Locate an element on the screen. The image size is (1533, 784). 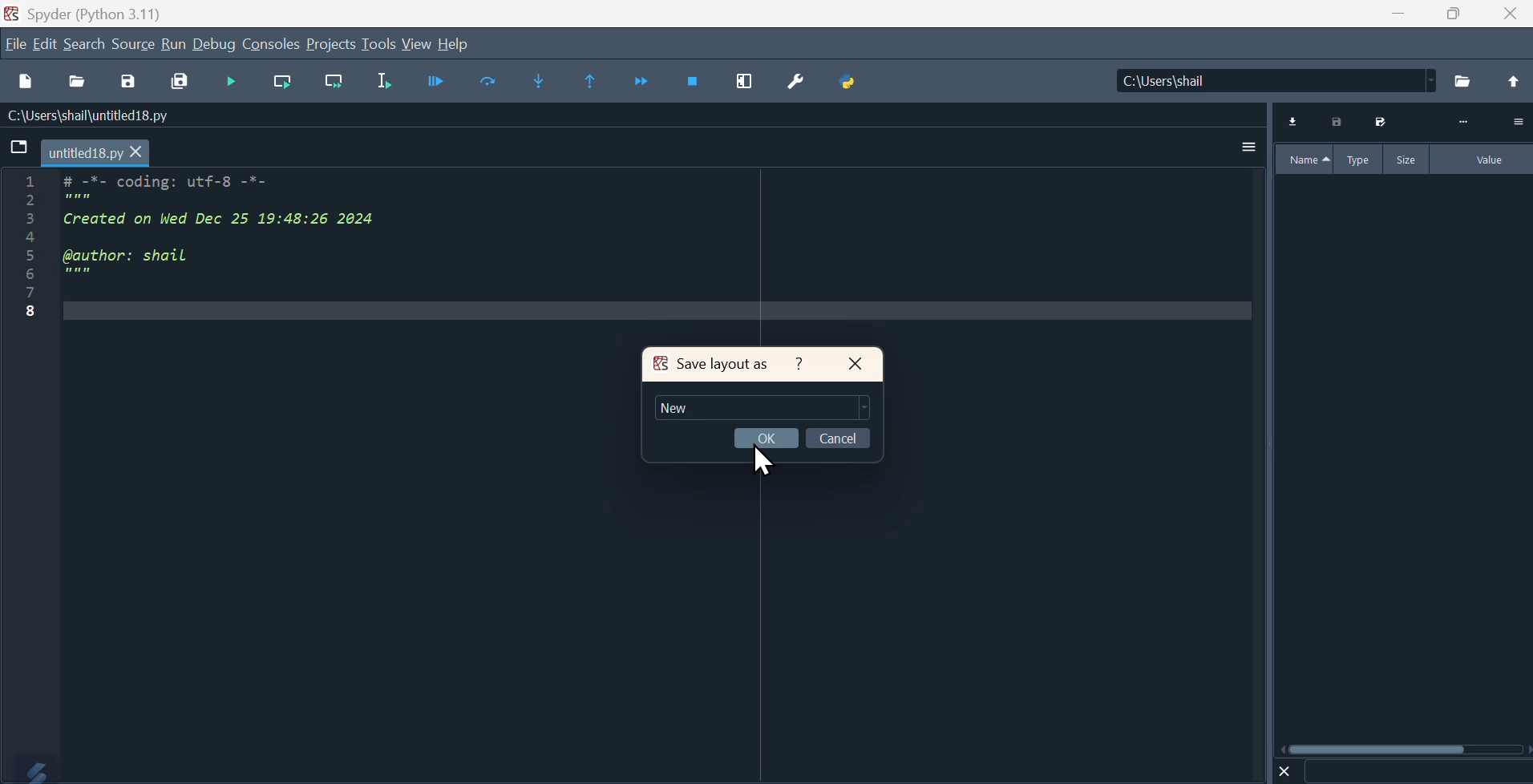
Find next is located at coordinates (536, 80).